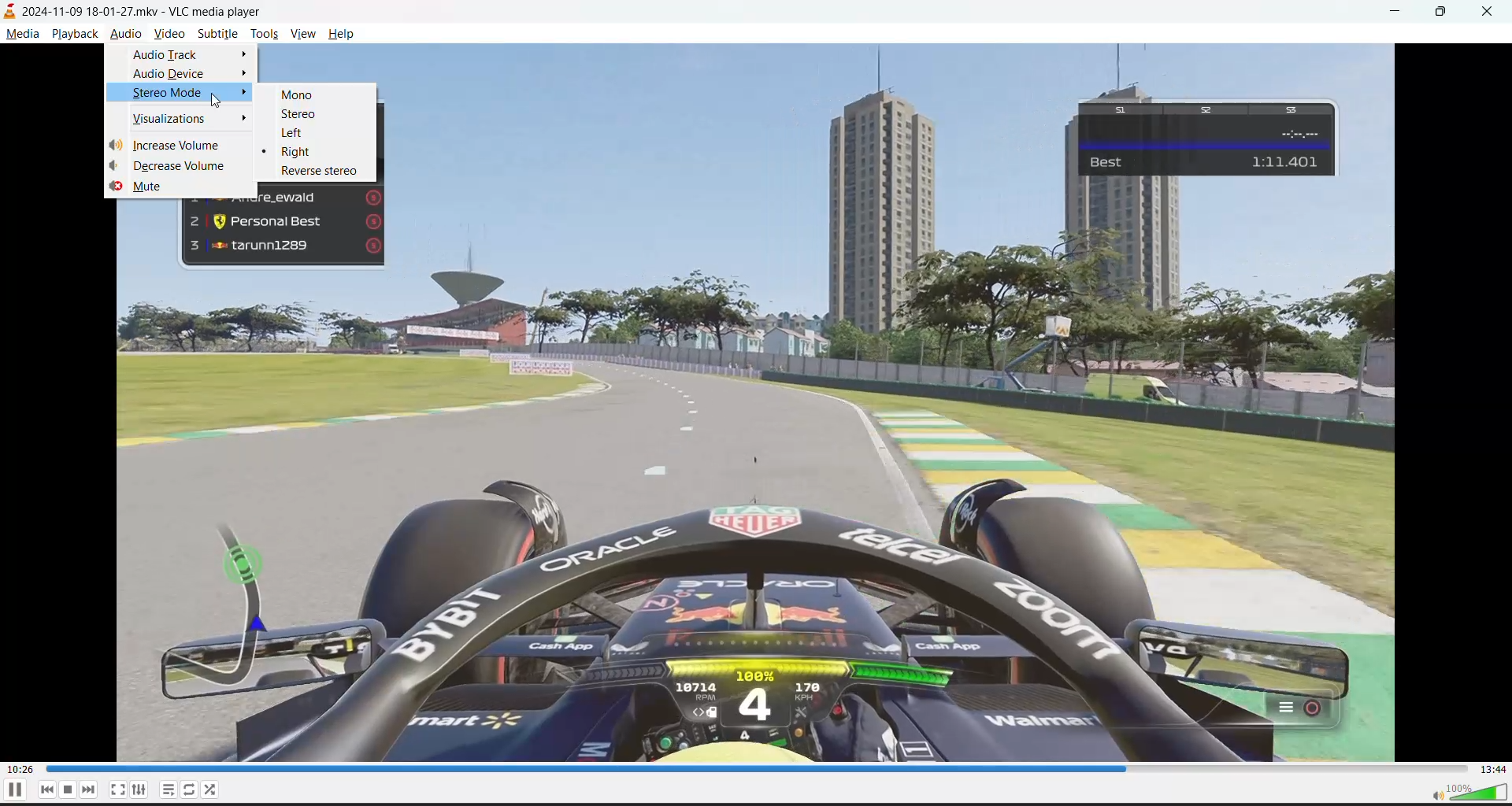 The height and width of the screenshot is (806, 1512). Describe the element at coordinates (281, 288) in the screenshot. I see `preview` at that location.